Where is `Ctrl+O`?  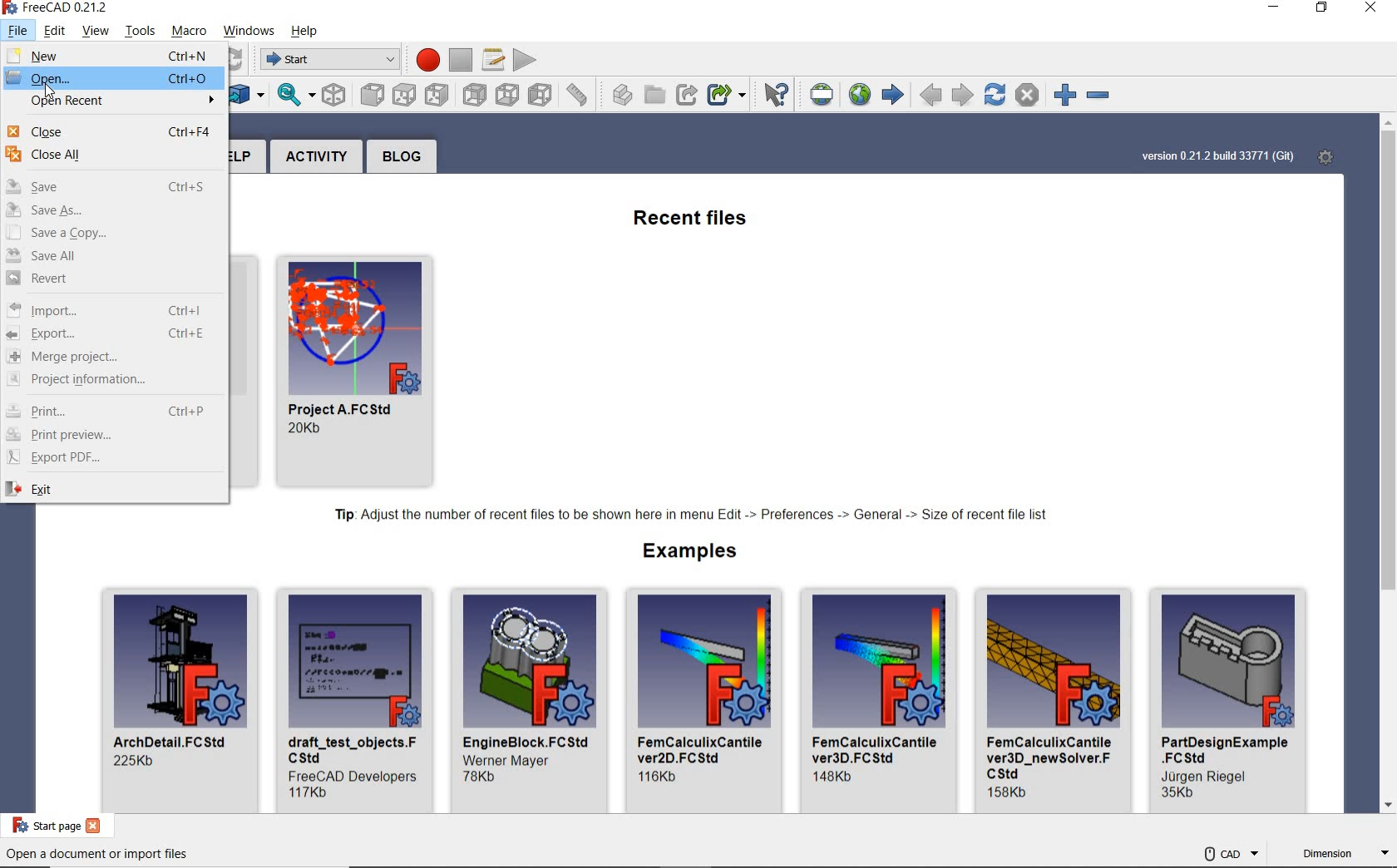
Ctrl+O is located at coordinates (187, 78).